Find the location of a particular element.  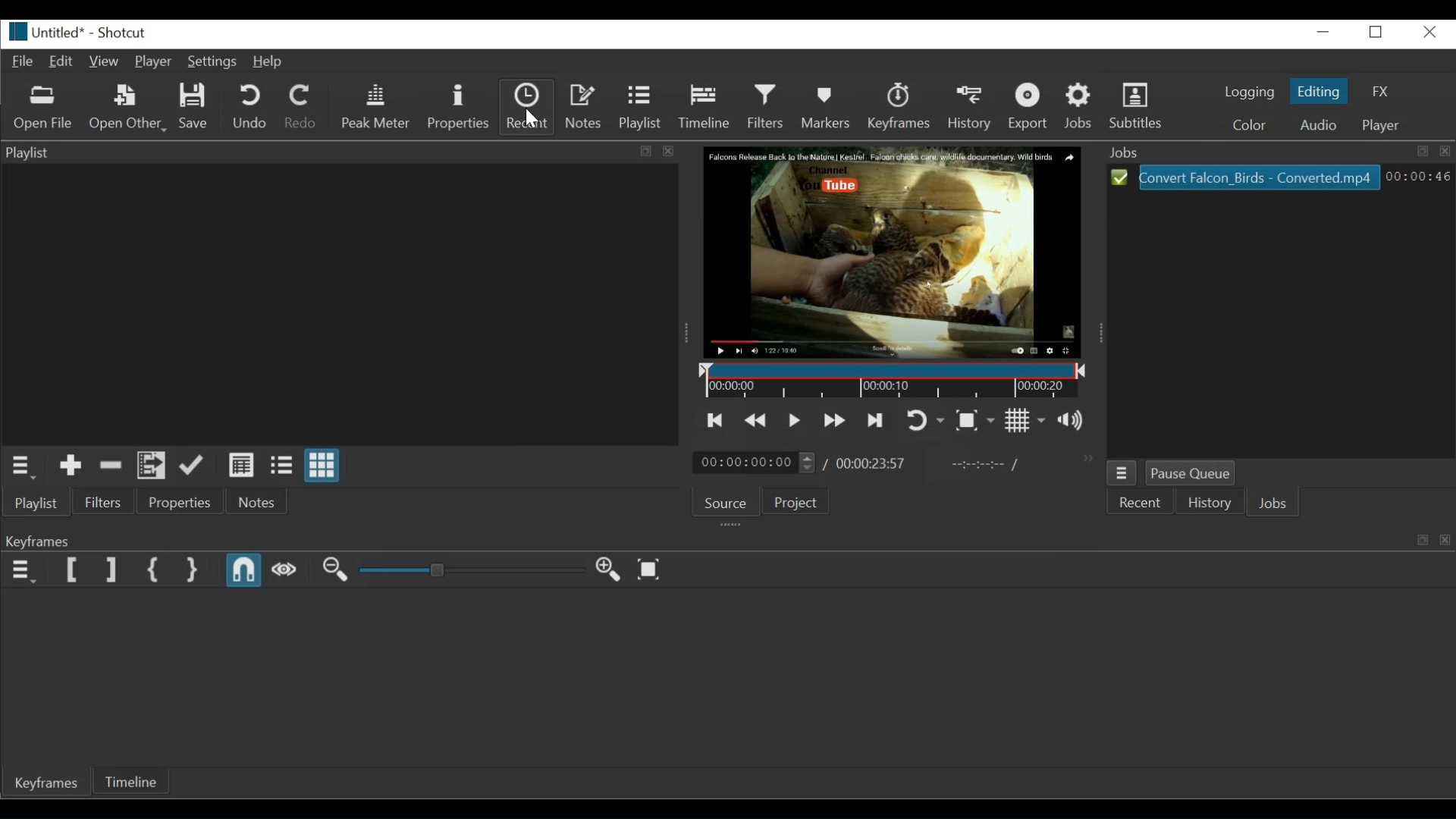

Toggle Zoom is located at coordinates (976, 421).